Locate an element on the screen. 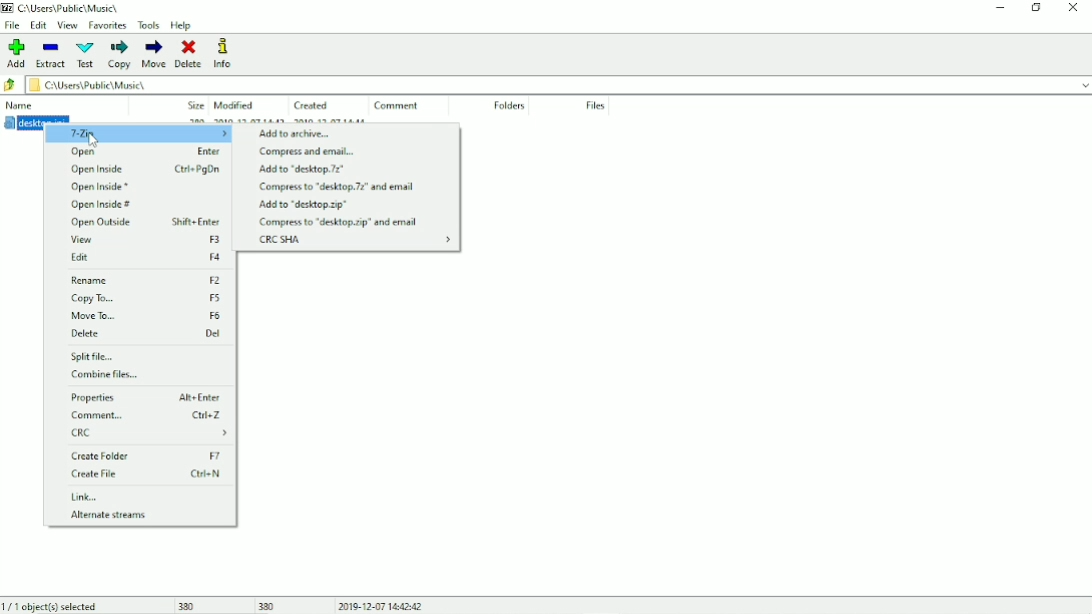 This screenshot has height=614, width=1092. Combine files is located at coordinates (108, 375).